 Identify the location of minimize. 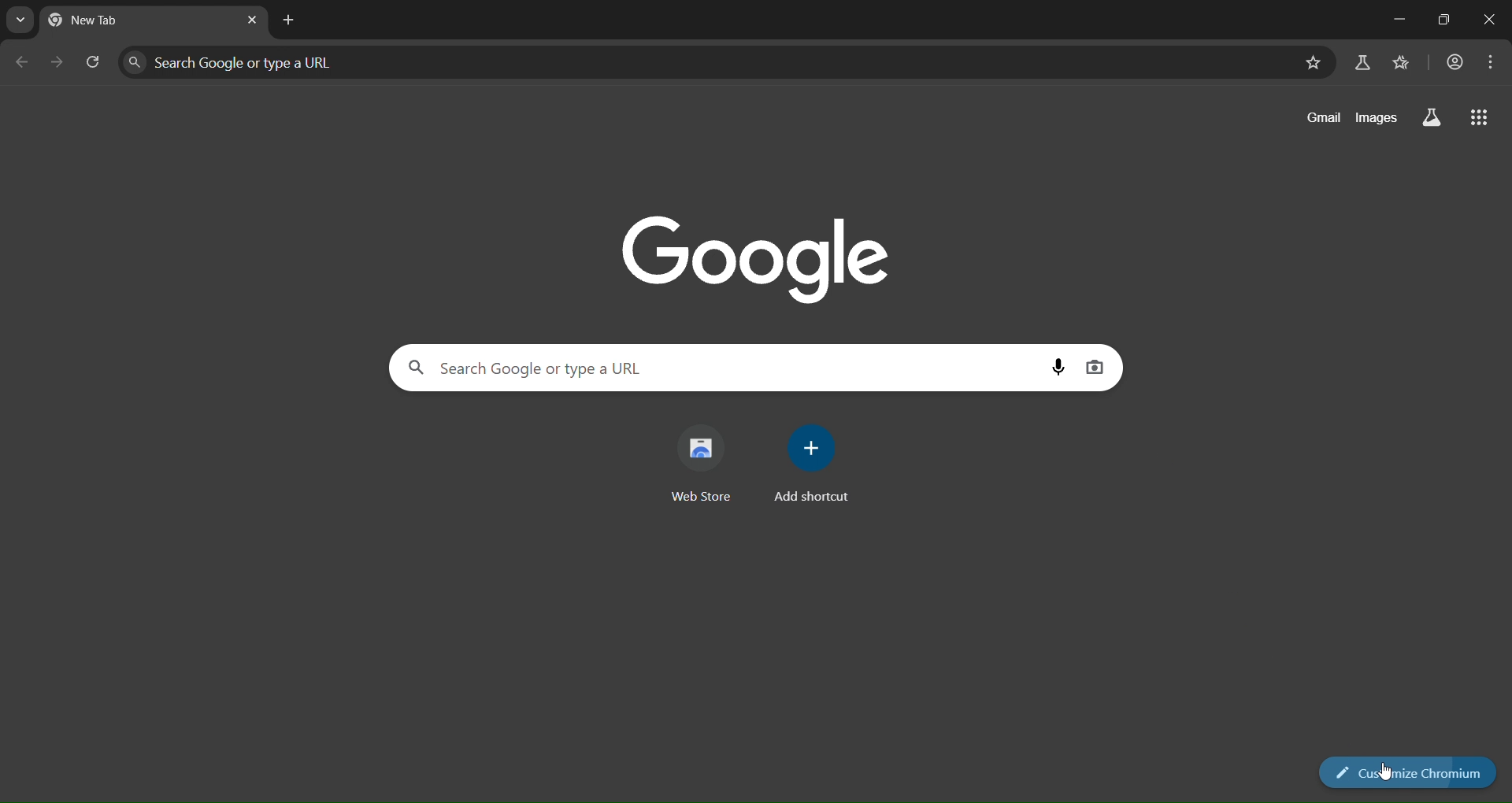
(1383, 19).